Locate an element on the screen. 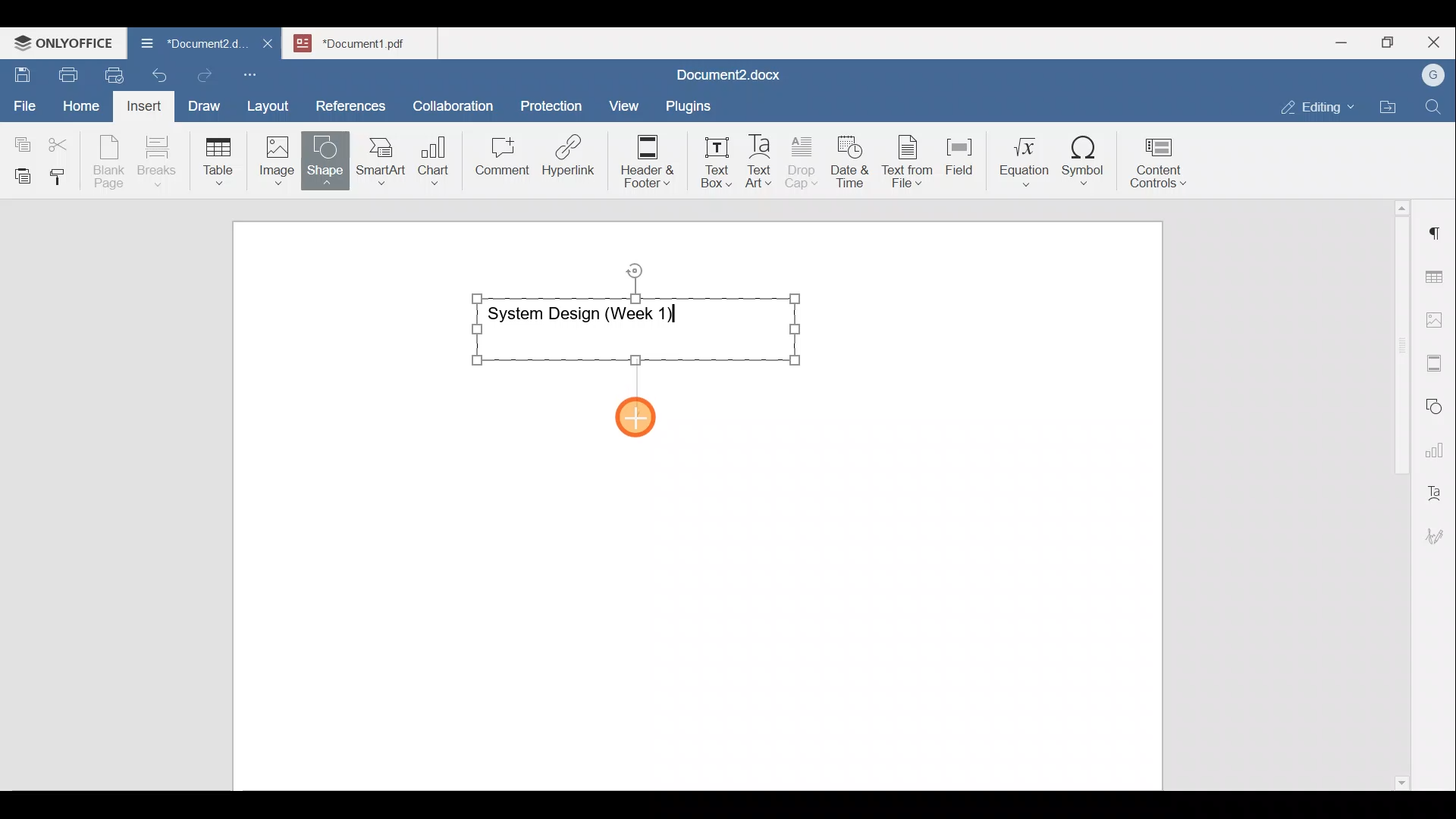 The image size is (1456, 819). Symbol is located at coordinates (1084, 165).